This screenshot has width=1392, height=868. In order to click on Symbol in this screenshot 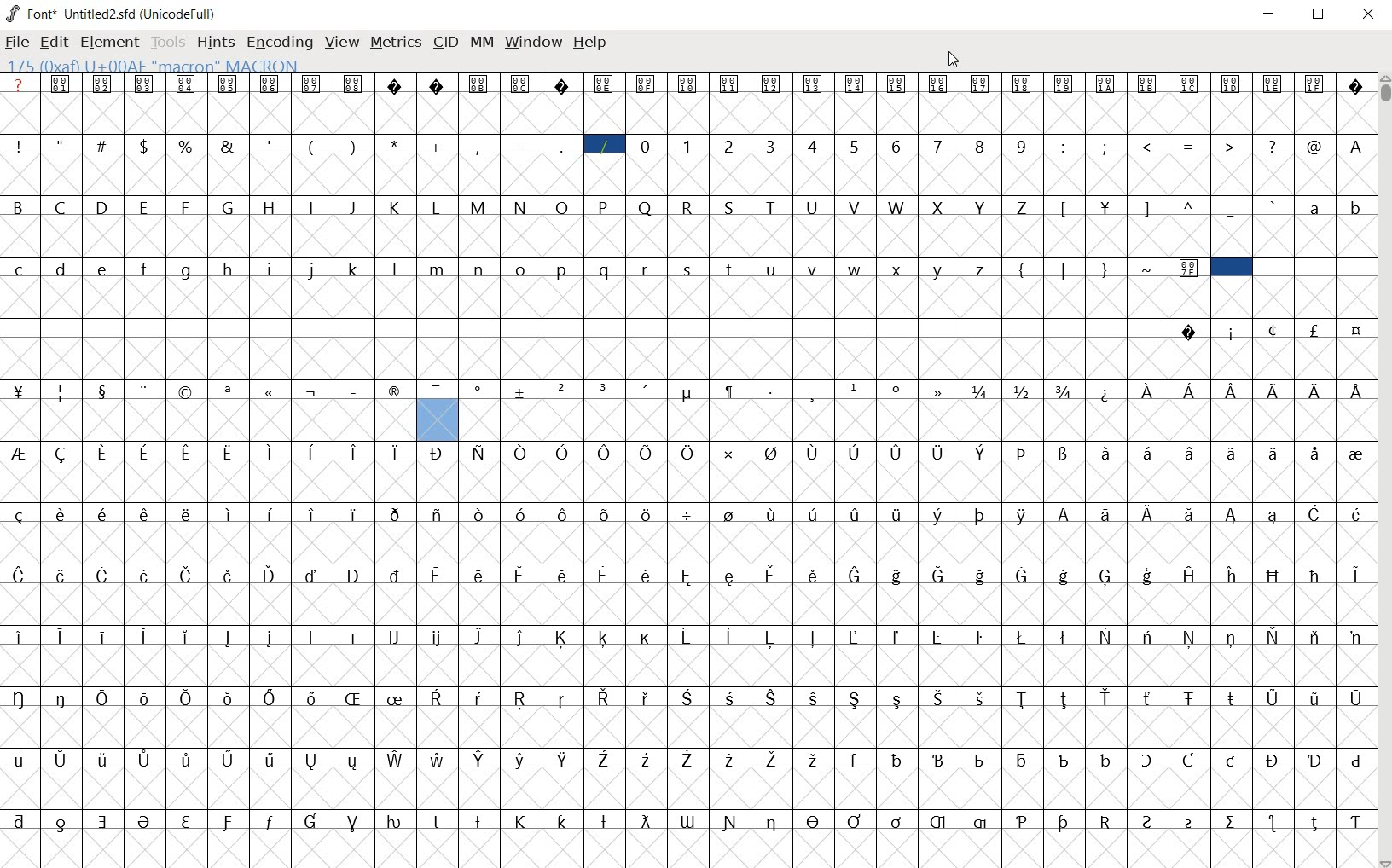, I will do `click(229, 514)`.